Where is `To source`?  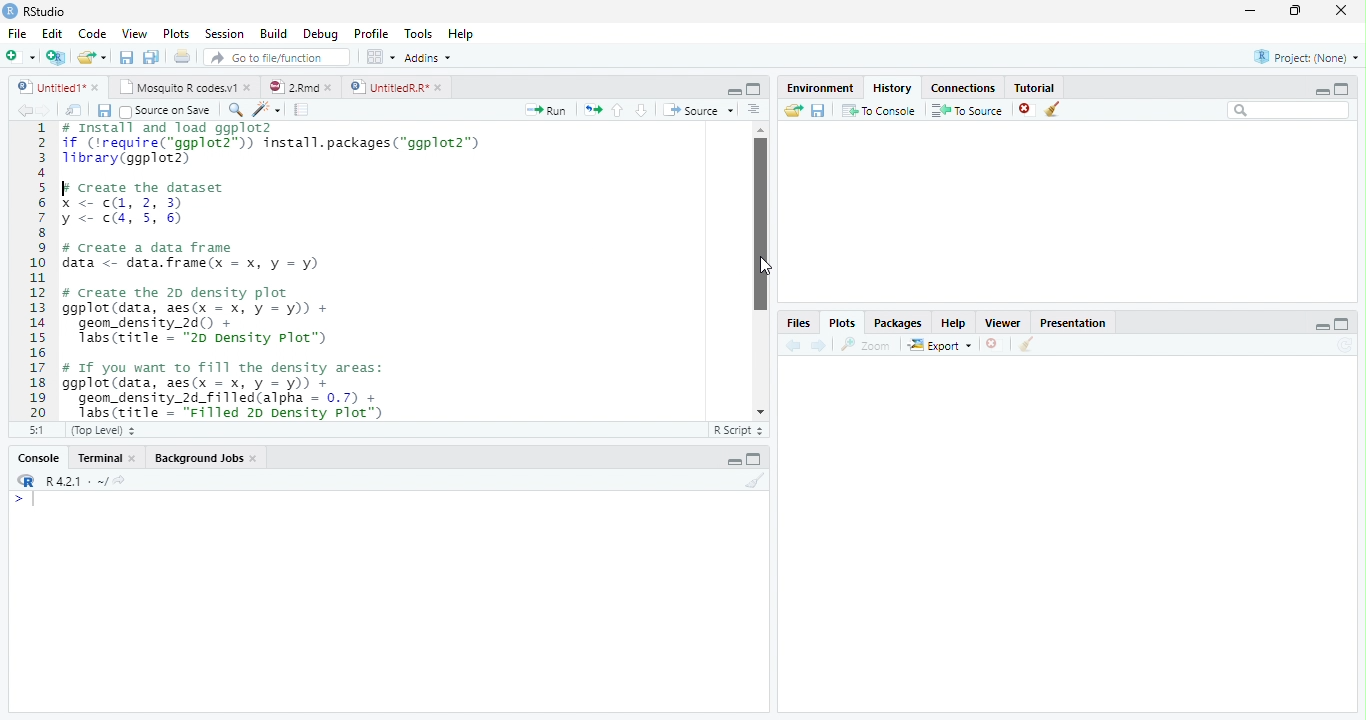
To source is located at coordinates (968, 111).